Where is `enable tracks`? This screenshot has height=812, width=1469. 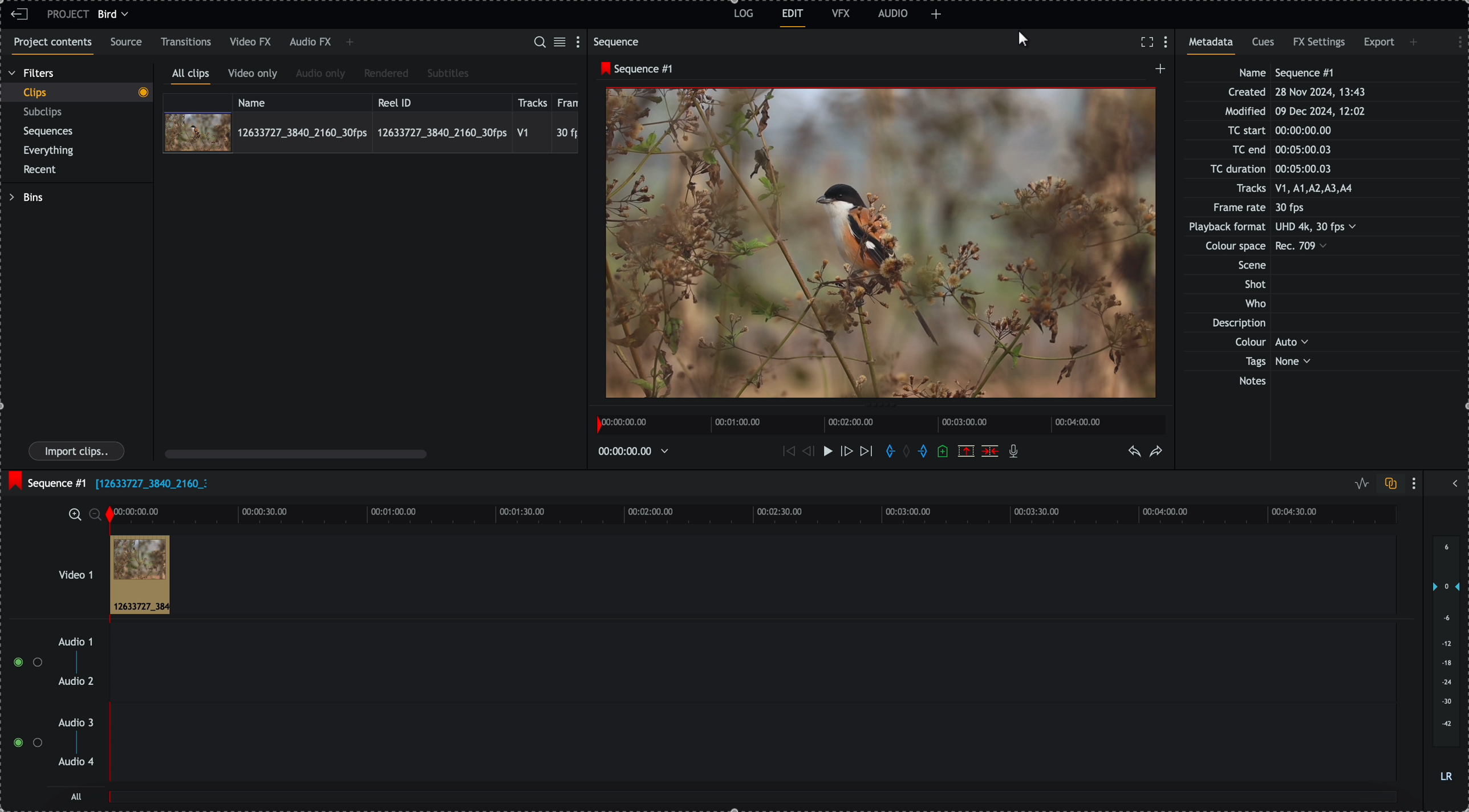
enable tracks is located at coordinates (23, 703).